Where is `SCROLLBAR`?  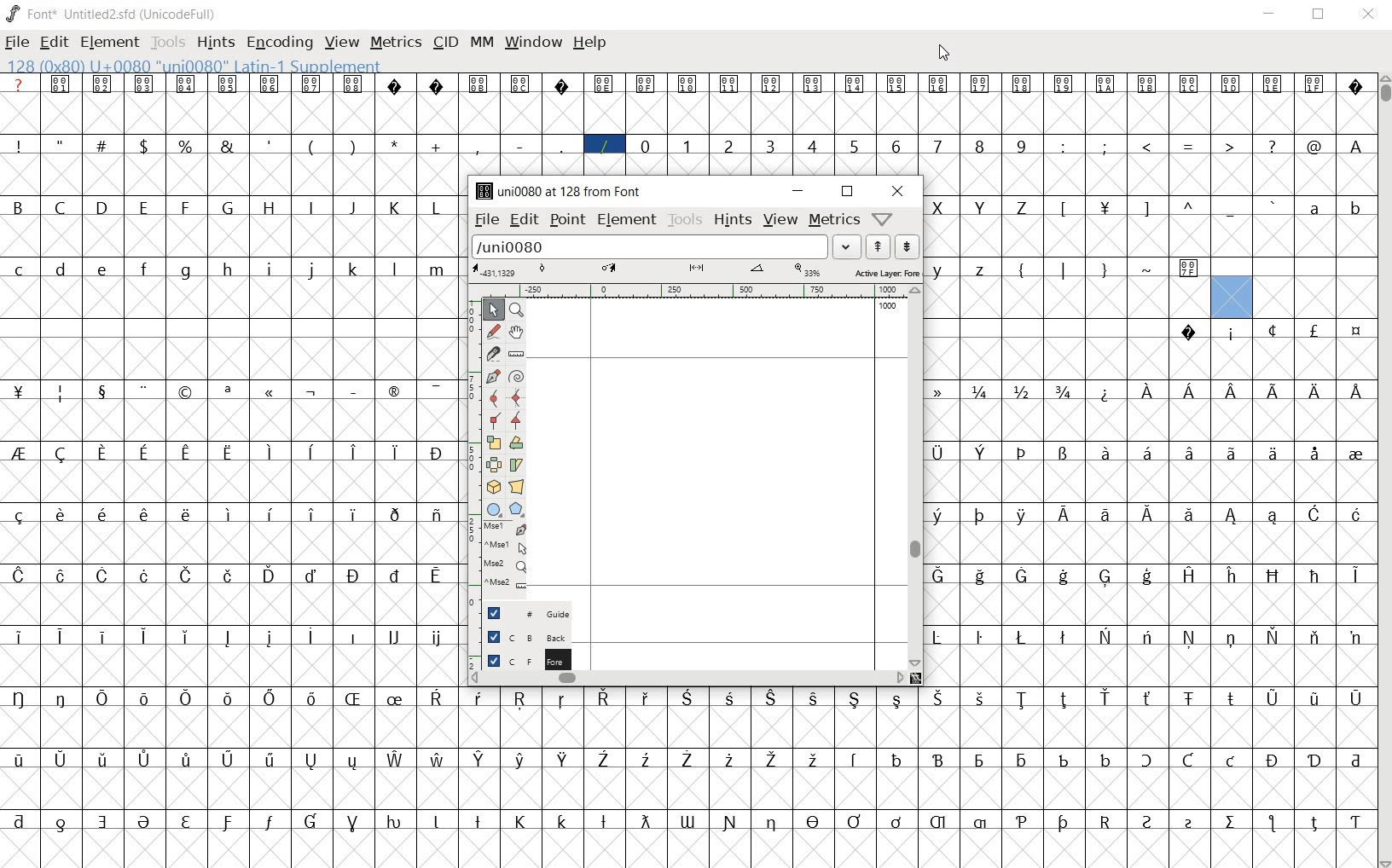 SCROLLBAR is located at coordinates (1383, 472).